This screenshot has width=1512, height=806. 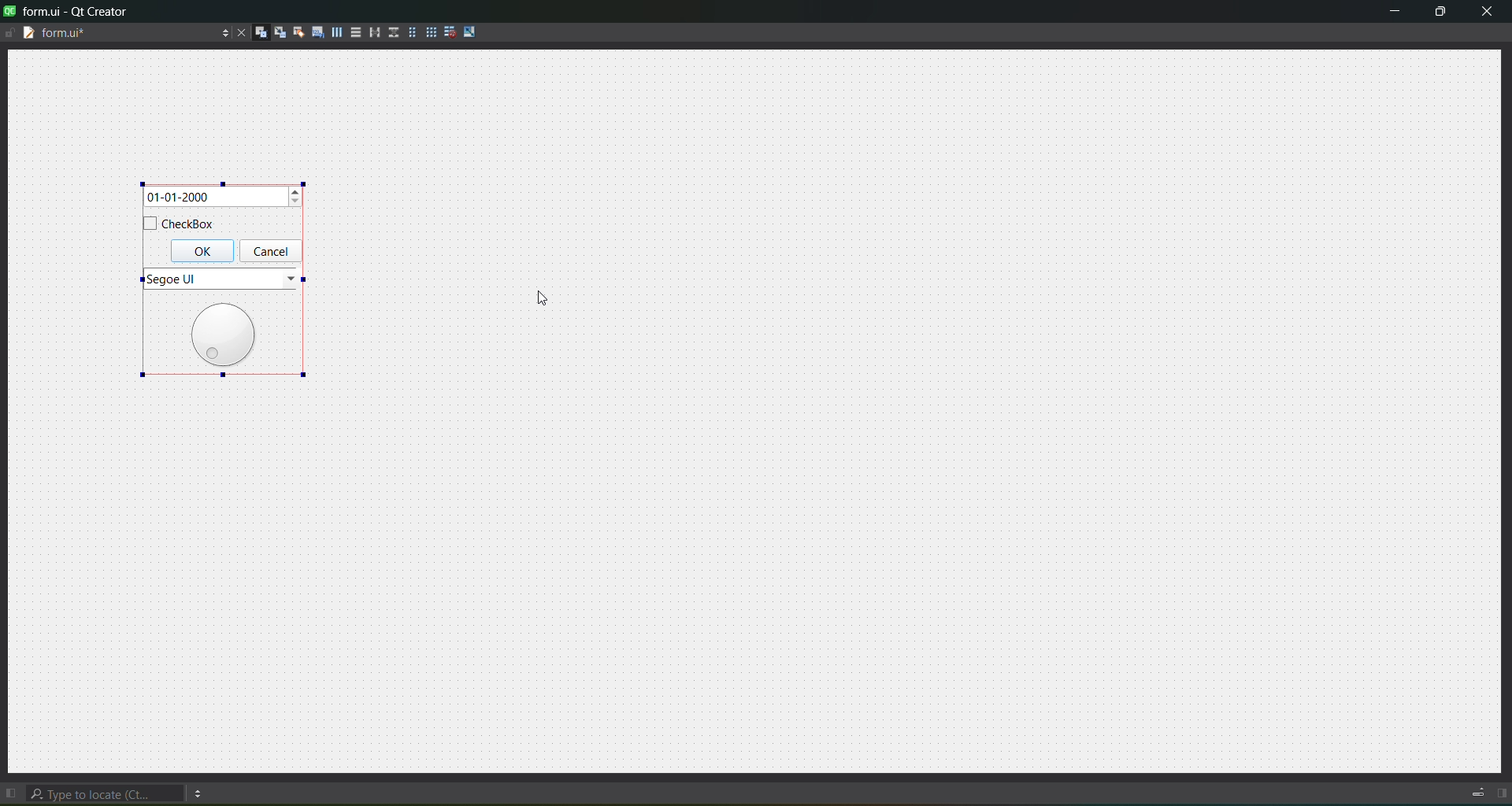 What do you see at coordinates (1503, 794) in the screenshot?
I see `show right sidebar` at bounding box center [1503, 794].